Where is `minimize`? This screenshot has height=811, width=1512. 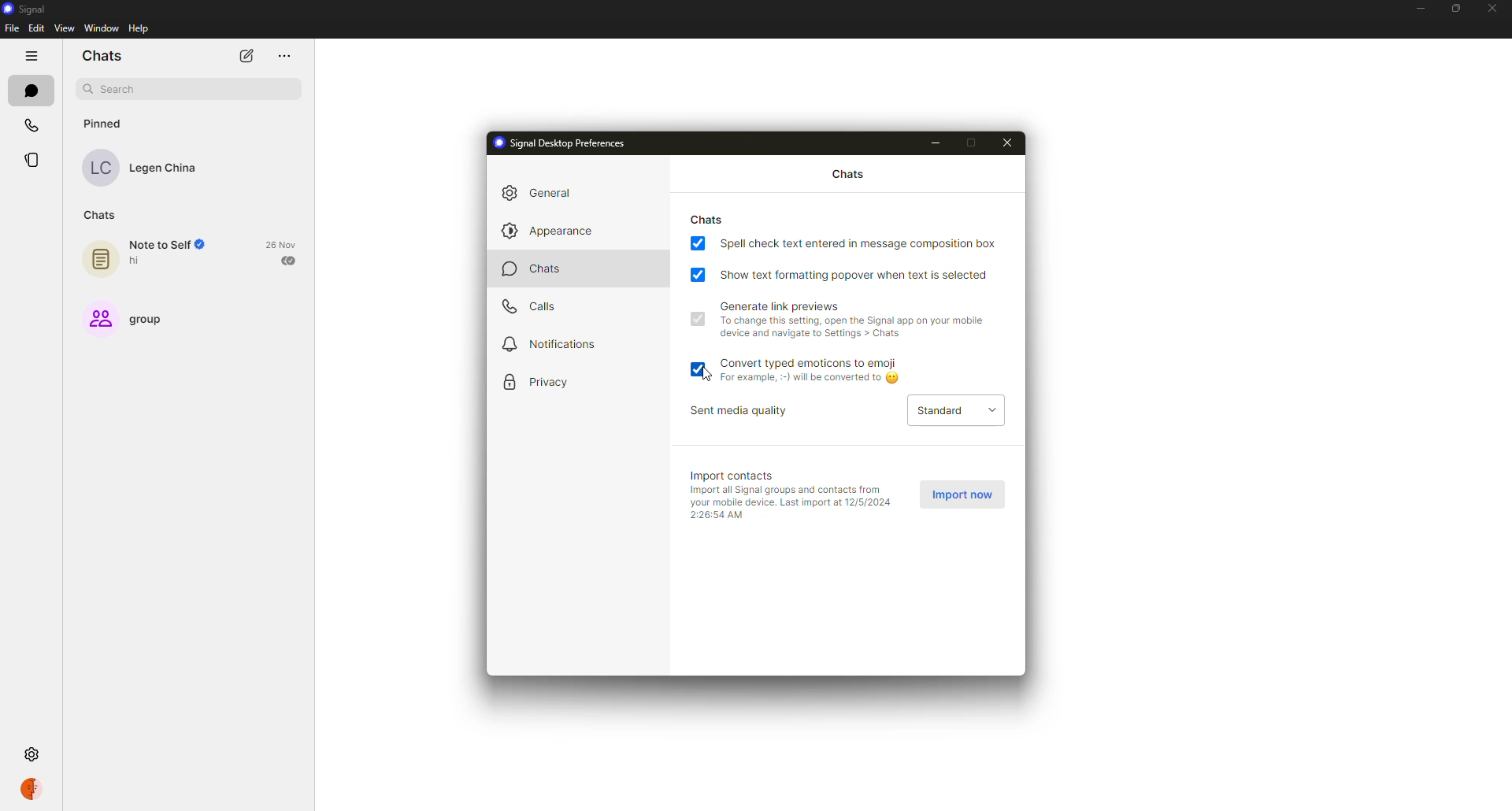
minimize is located at coordinates (936, 143).